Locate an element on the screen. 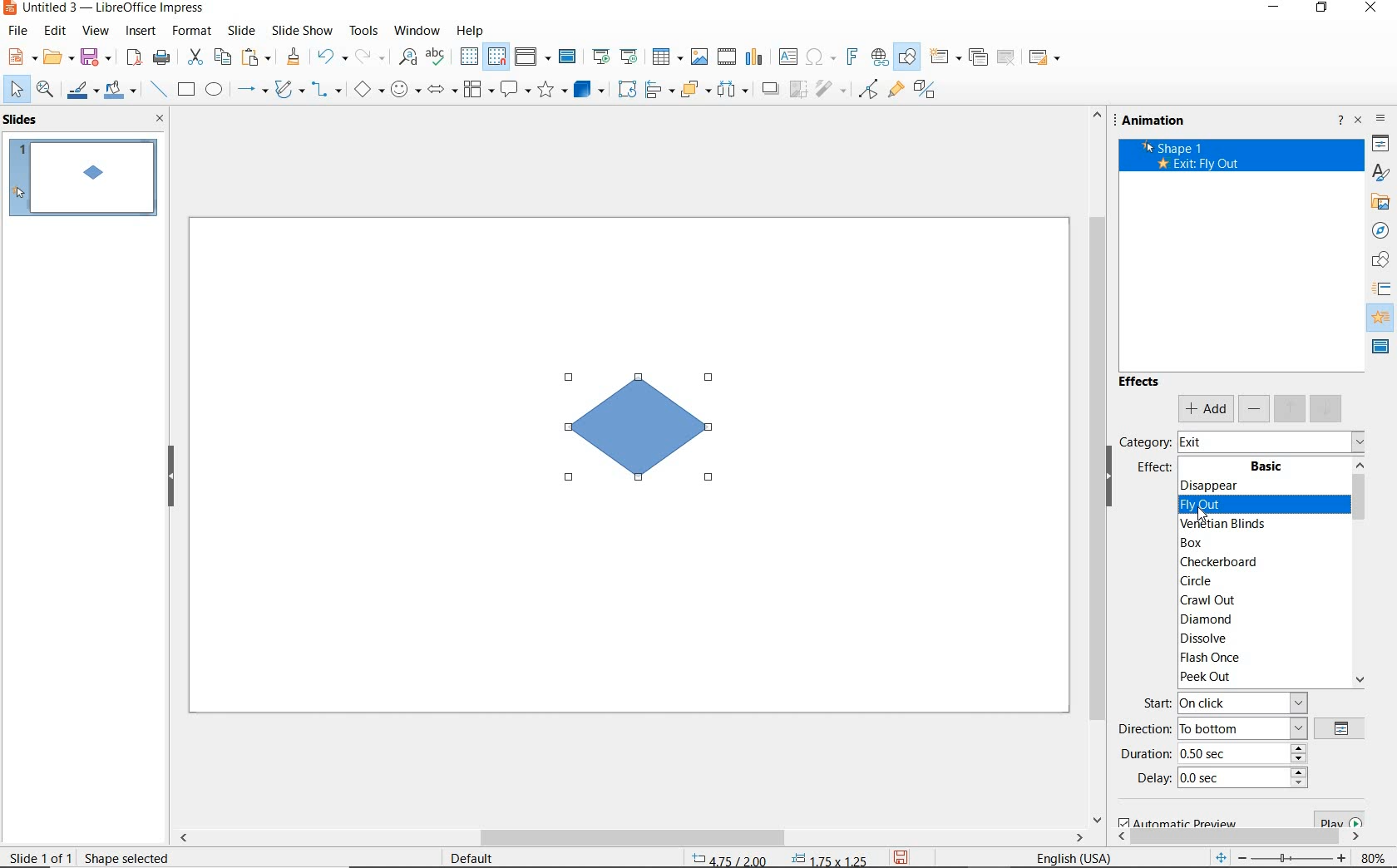 This screenshot has height=868, width=1397. gallery is located at coordinates (1376, 204).